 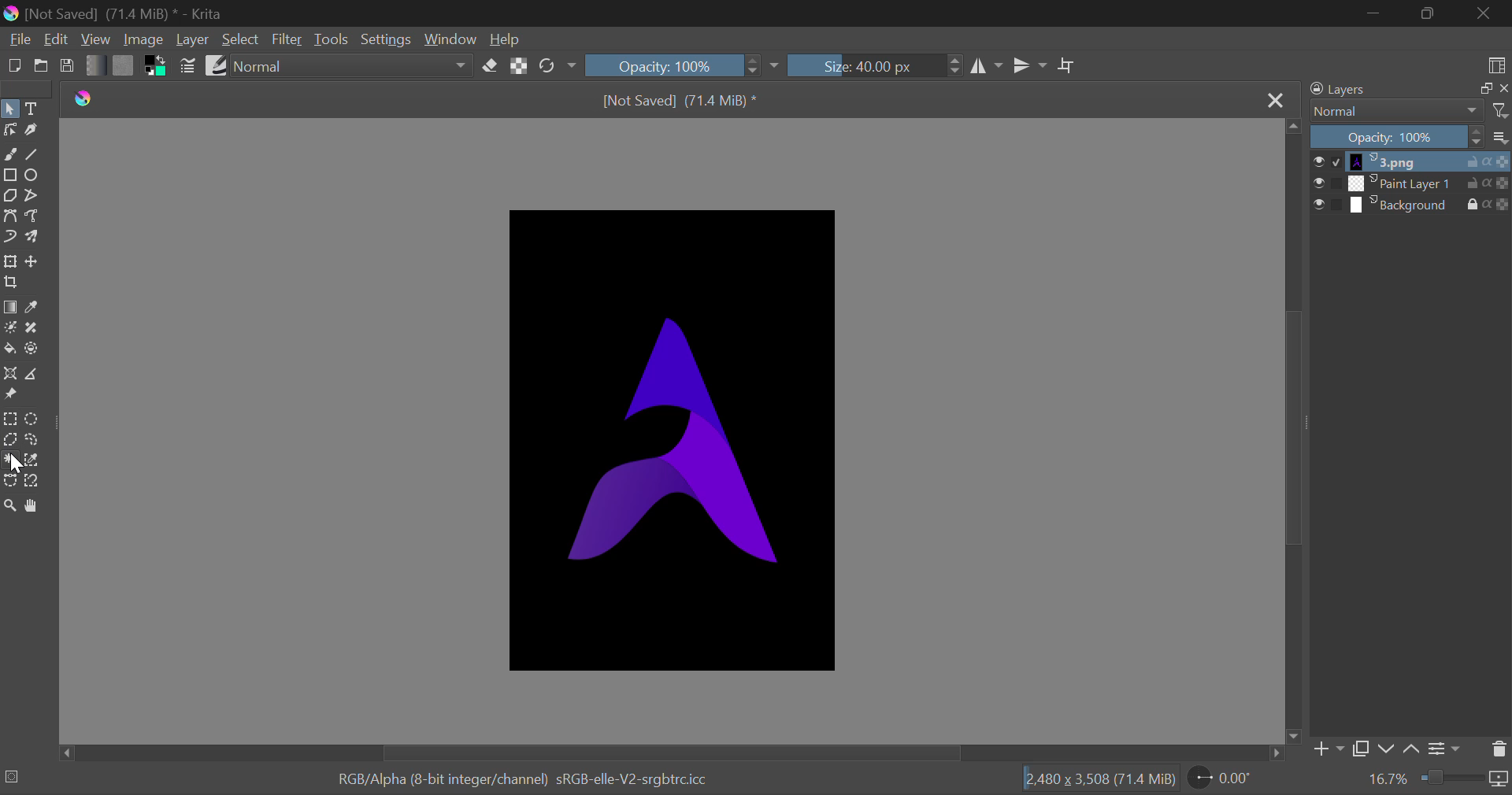 What do you see at coordinates (1403, 162) in the screenshot?
I see `layer 1` at bounding box center [1403, 162].